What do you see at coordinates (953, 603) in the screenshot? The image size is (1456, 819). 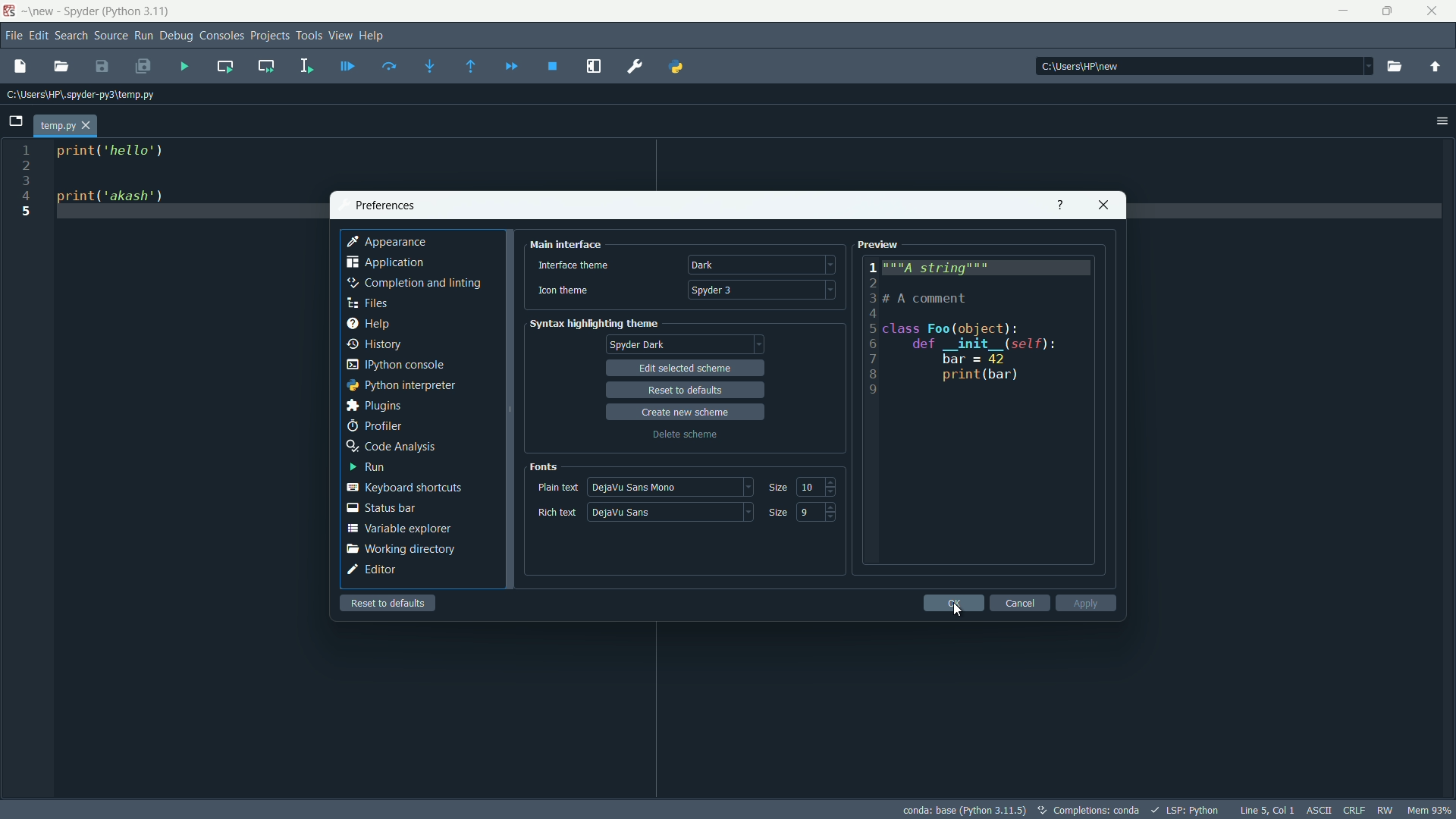 I see `ok` at bounding box center [953, 603].